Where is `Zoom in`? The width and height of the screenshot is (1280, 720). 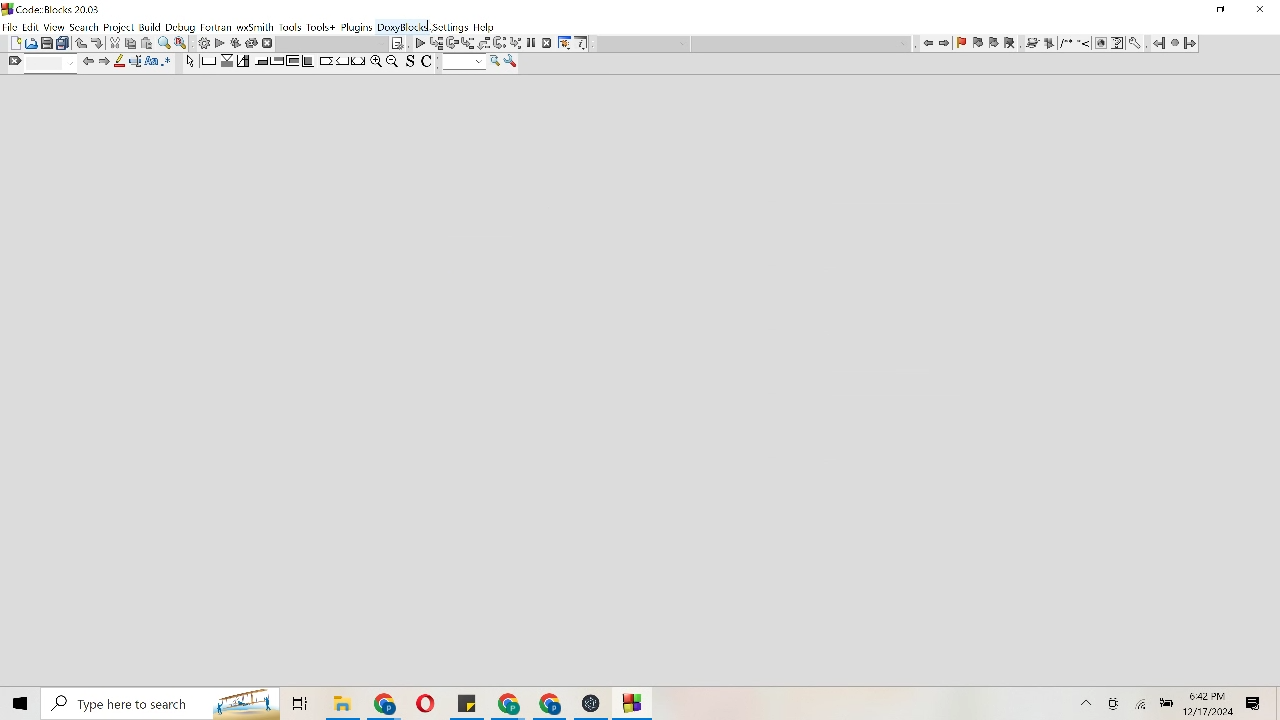 Zoom in is located at coordinates (376, 61).